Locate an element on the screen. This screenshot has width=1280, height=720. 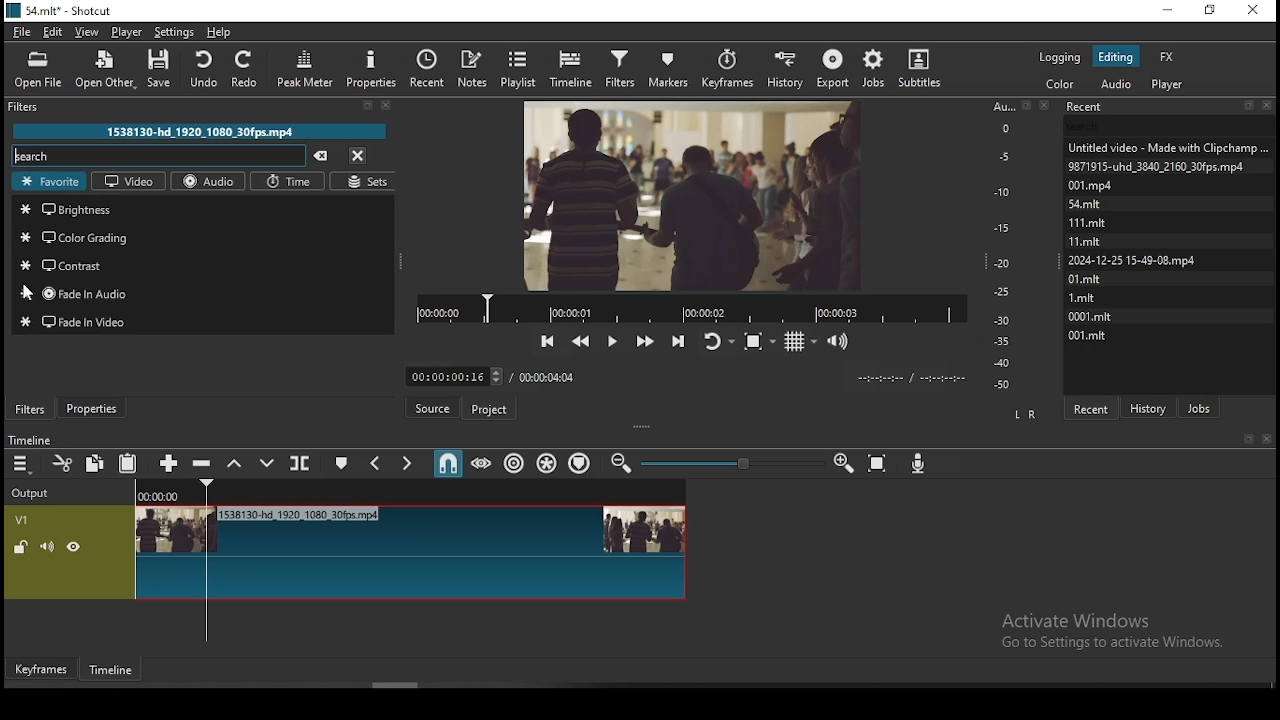
scroll bar is located at coordinates (398, 685).